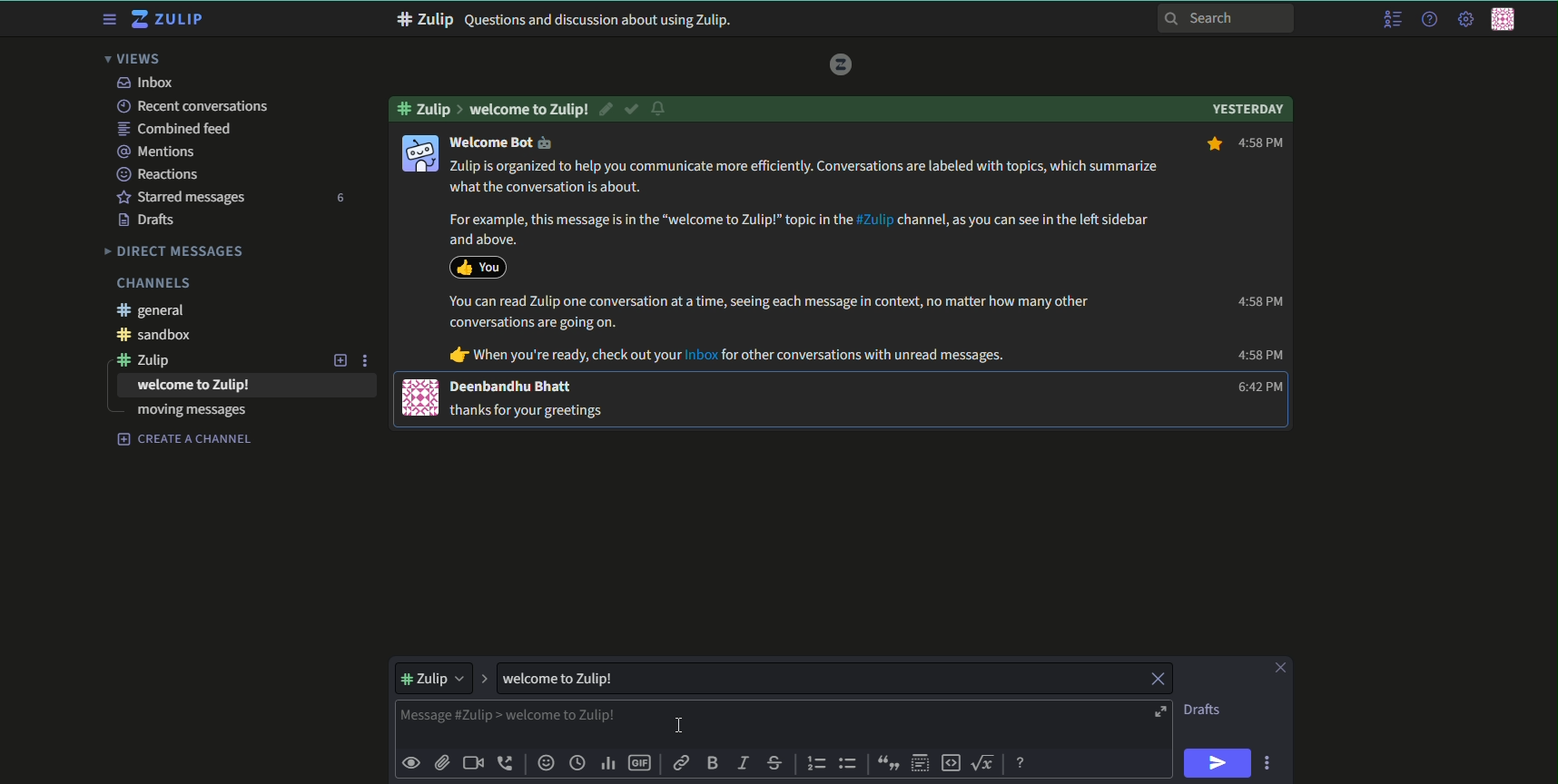  Describe the element at coordinates (412, 761) in the screenshot. I see `preview` at that location.